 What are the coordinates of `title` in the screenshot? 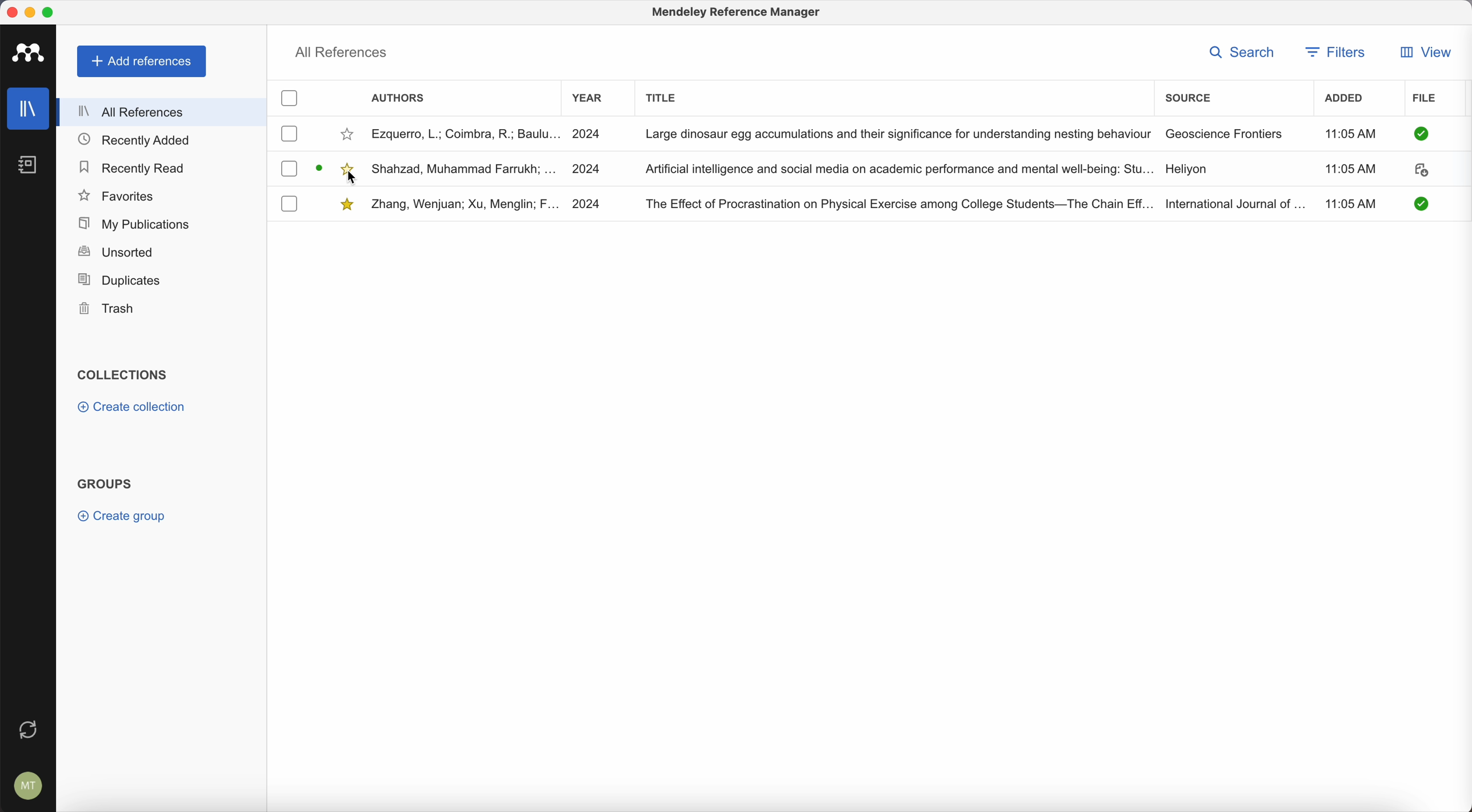 It's located at (663, 96).